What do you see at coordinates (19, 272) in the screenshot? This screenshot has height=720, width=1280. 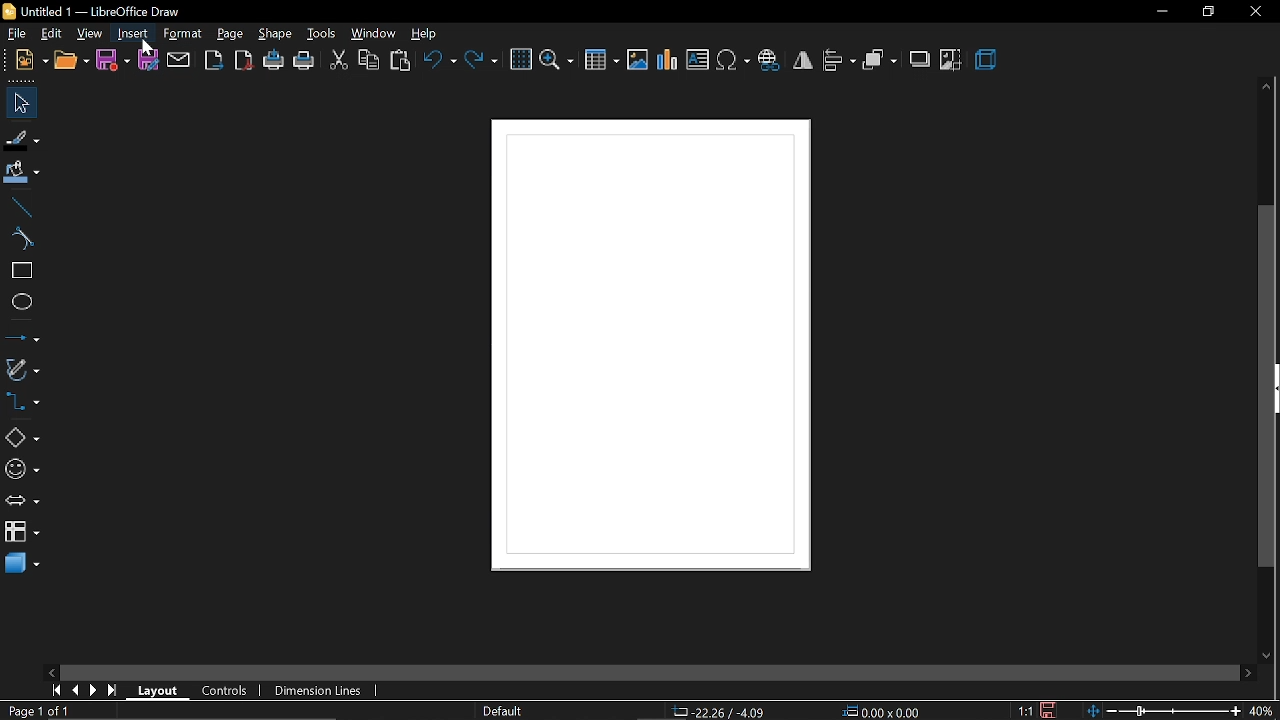 I see `rectangle` at bounding box center [19, 272].